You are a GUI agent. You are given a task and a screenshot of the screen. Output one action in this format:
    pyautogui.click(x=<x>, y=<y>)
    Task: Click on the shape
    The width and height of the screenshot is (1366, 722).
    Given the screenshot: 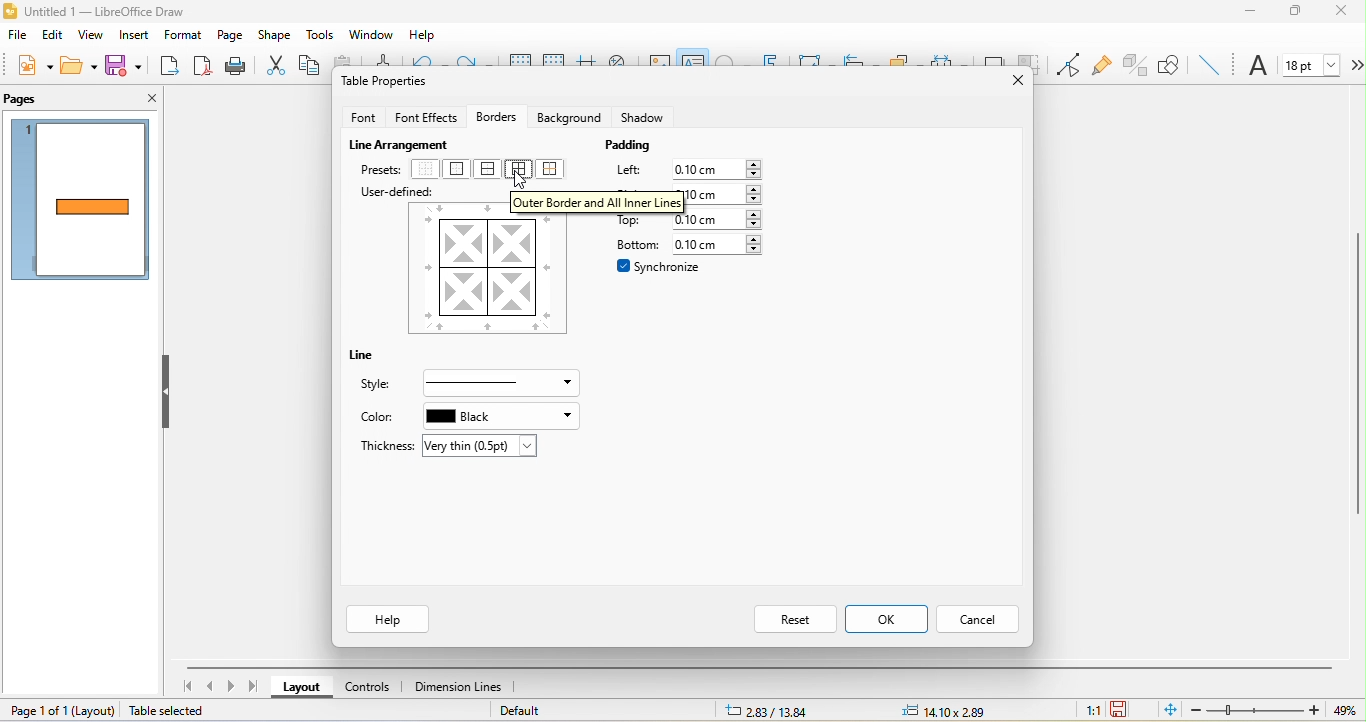 What is the action you would take?
    pyautogui.click(x=274, y=35)
    